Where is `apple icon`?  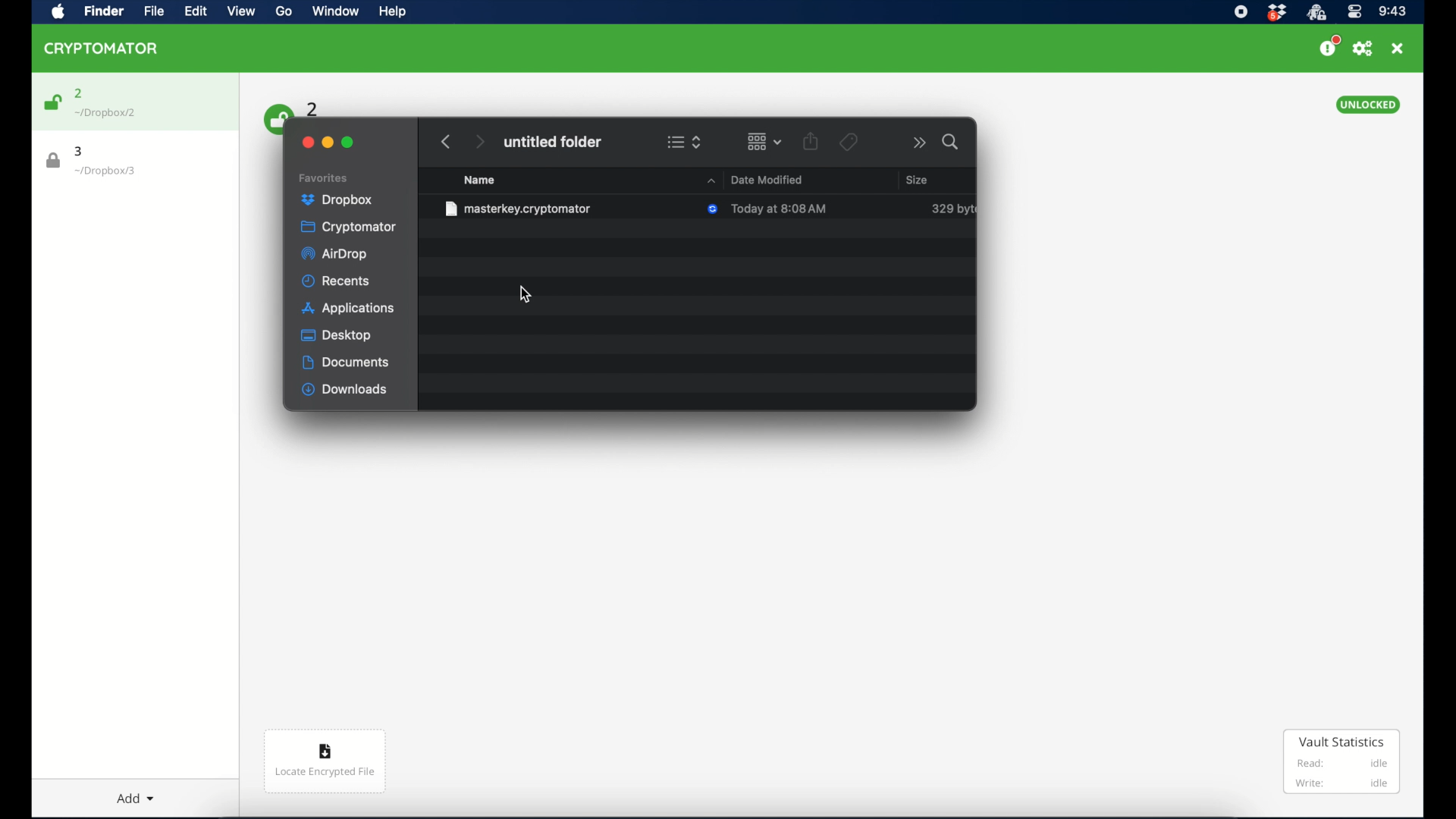 apple icon is located at coordinates (58, 12).